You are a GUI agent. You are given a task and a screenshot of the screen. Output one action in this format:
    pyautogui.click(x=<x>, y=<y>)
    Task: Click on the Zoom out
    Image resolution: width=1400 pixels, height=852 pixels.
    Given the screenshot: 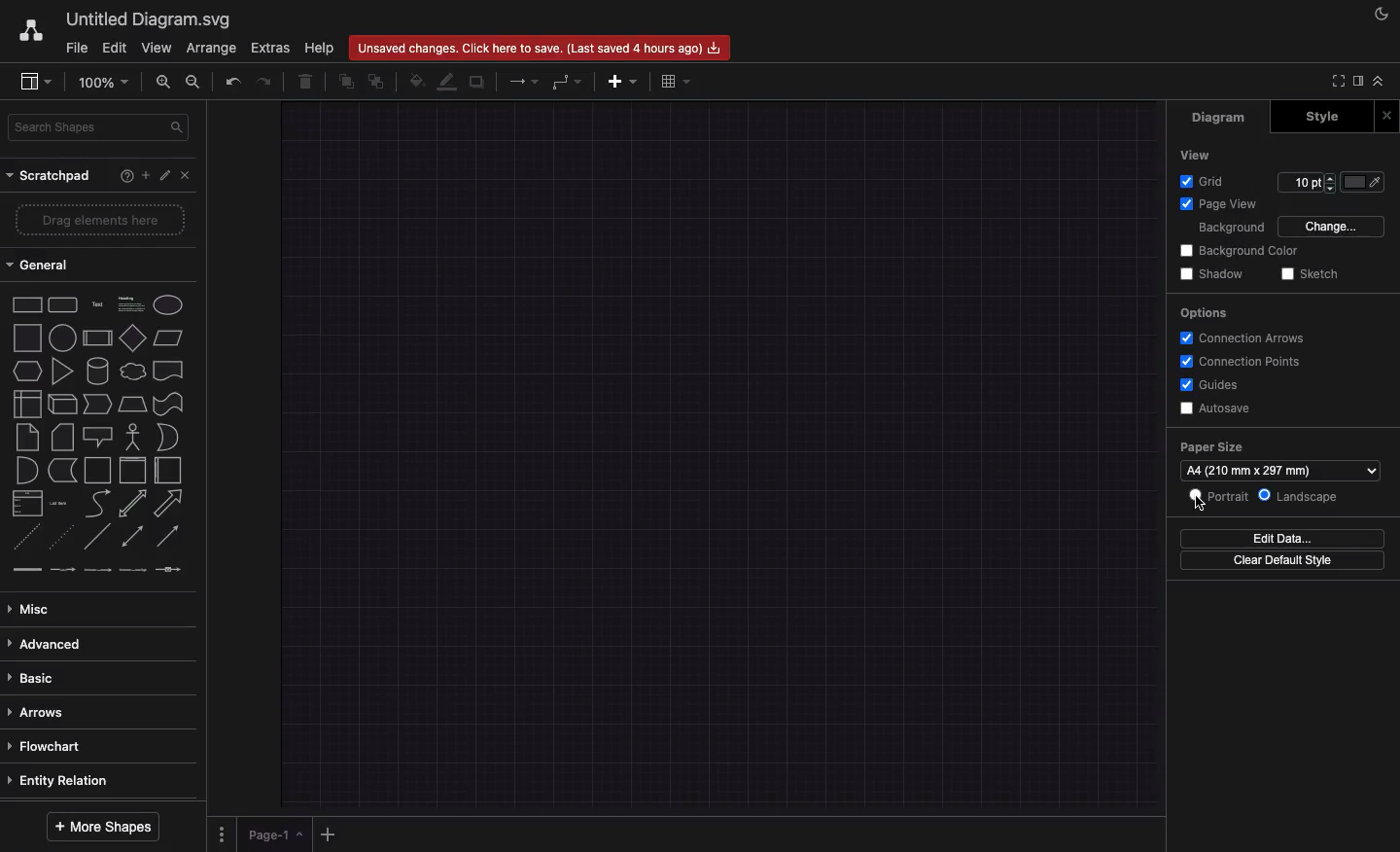 What is the action you would take?
    pyautogui.click(x=195, y=83)
    